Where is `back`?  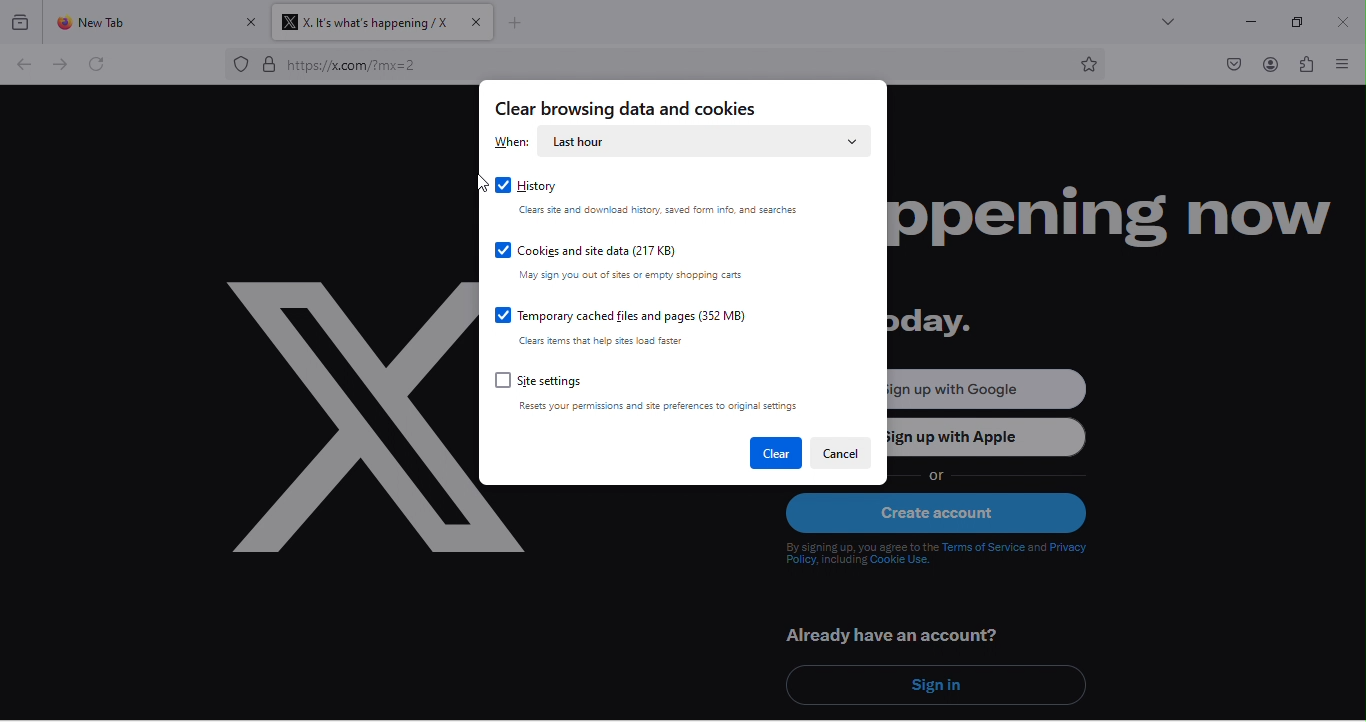 back is located at coordinates (23, 65).